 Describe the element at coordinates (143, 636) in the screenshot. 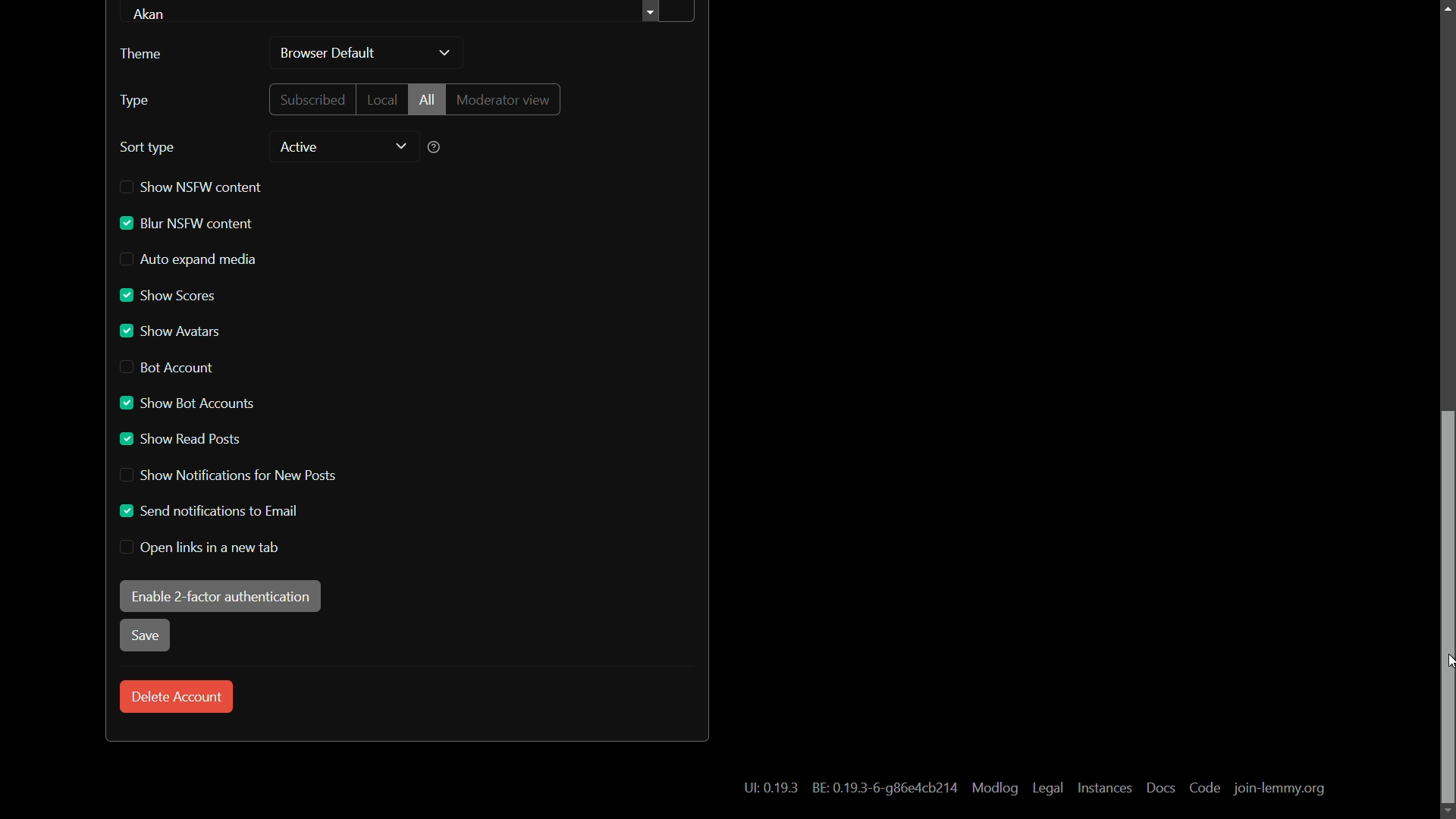

I see `save` at that location.